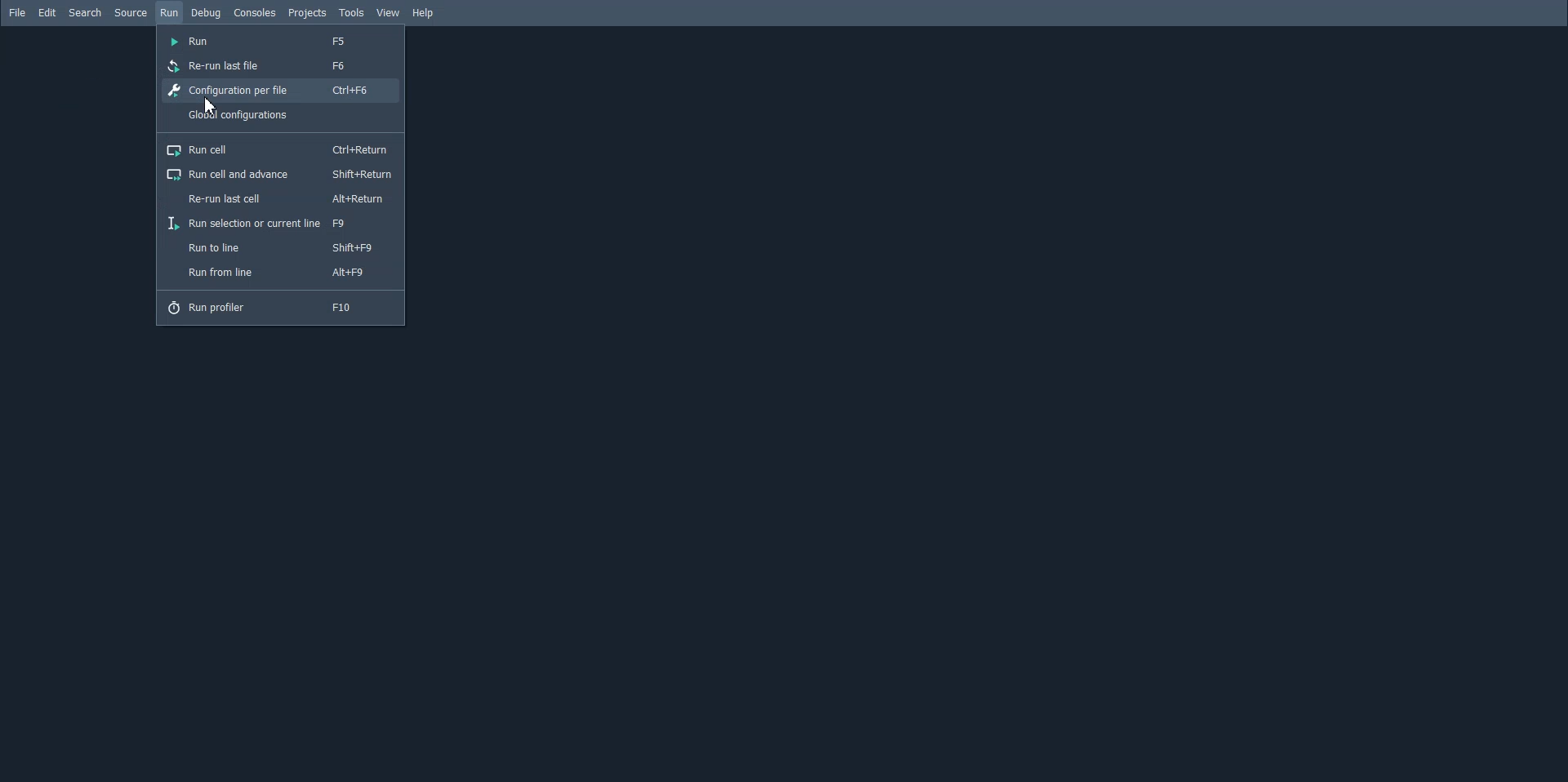 This screenshot has width=1568, height=782. I want to click on Projects, so click(308, 12).